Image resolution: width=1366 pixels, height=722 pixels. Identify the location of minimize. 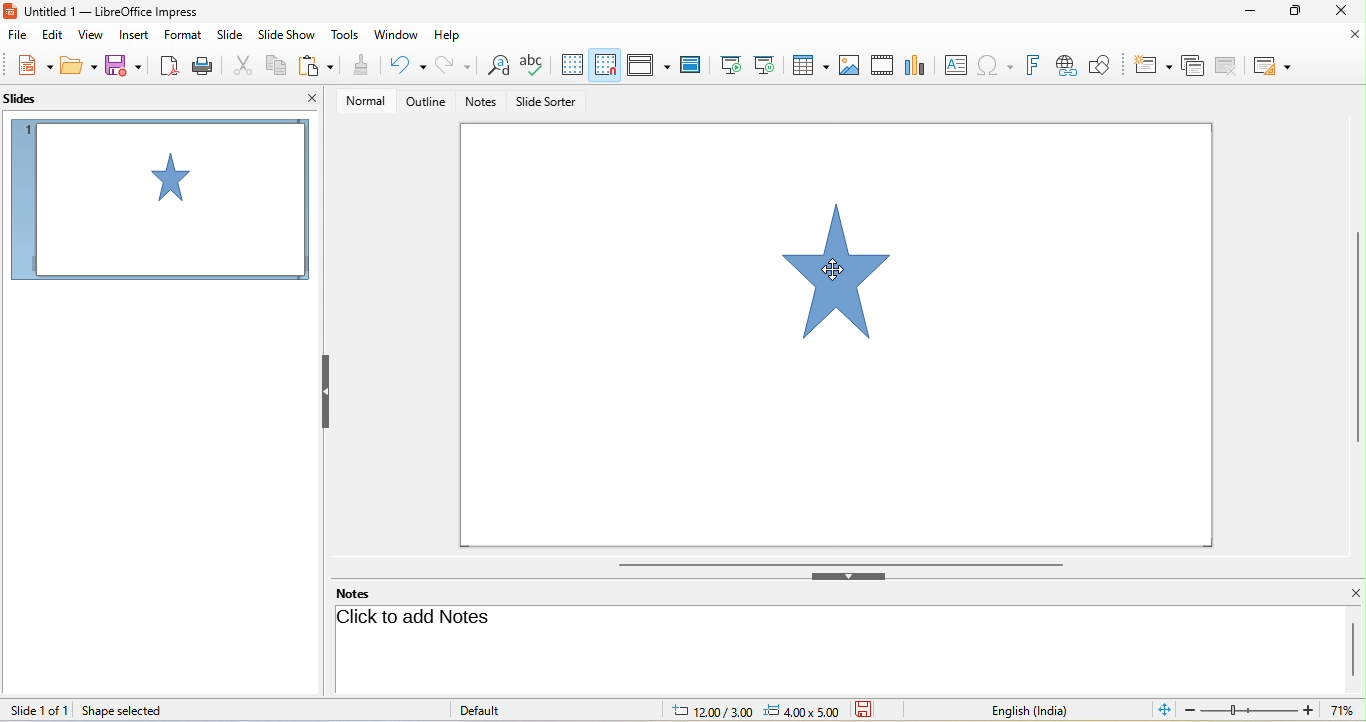
(1253, 10).